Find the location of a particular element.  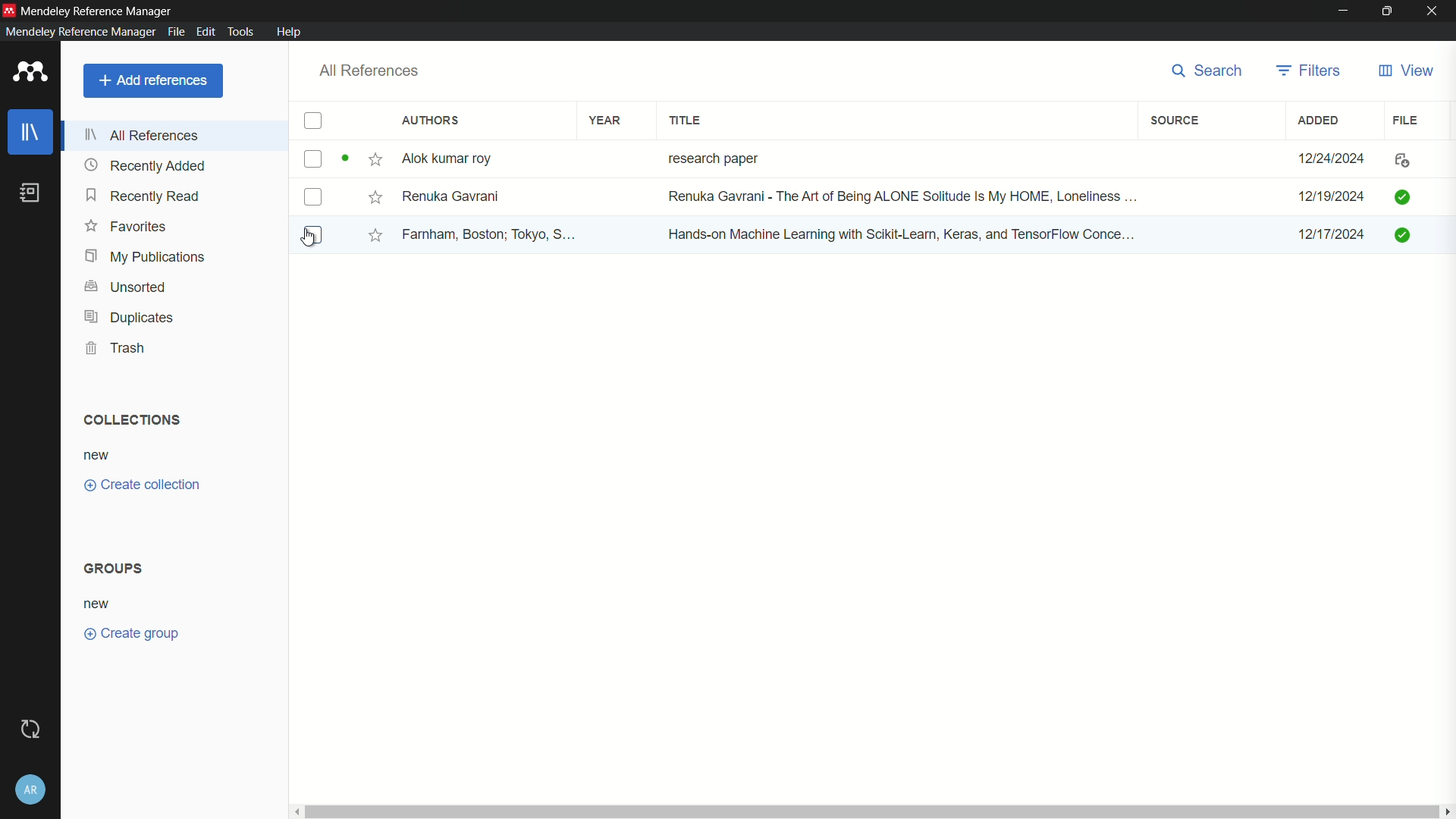

help menu is located at coordinates (290, 32).